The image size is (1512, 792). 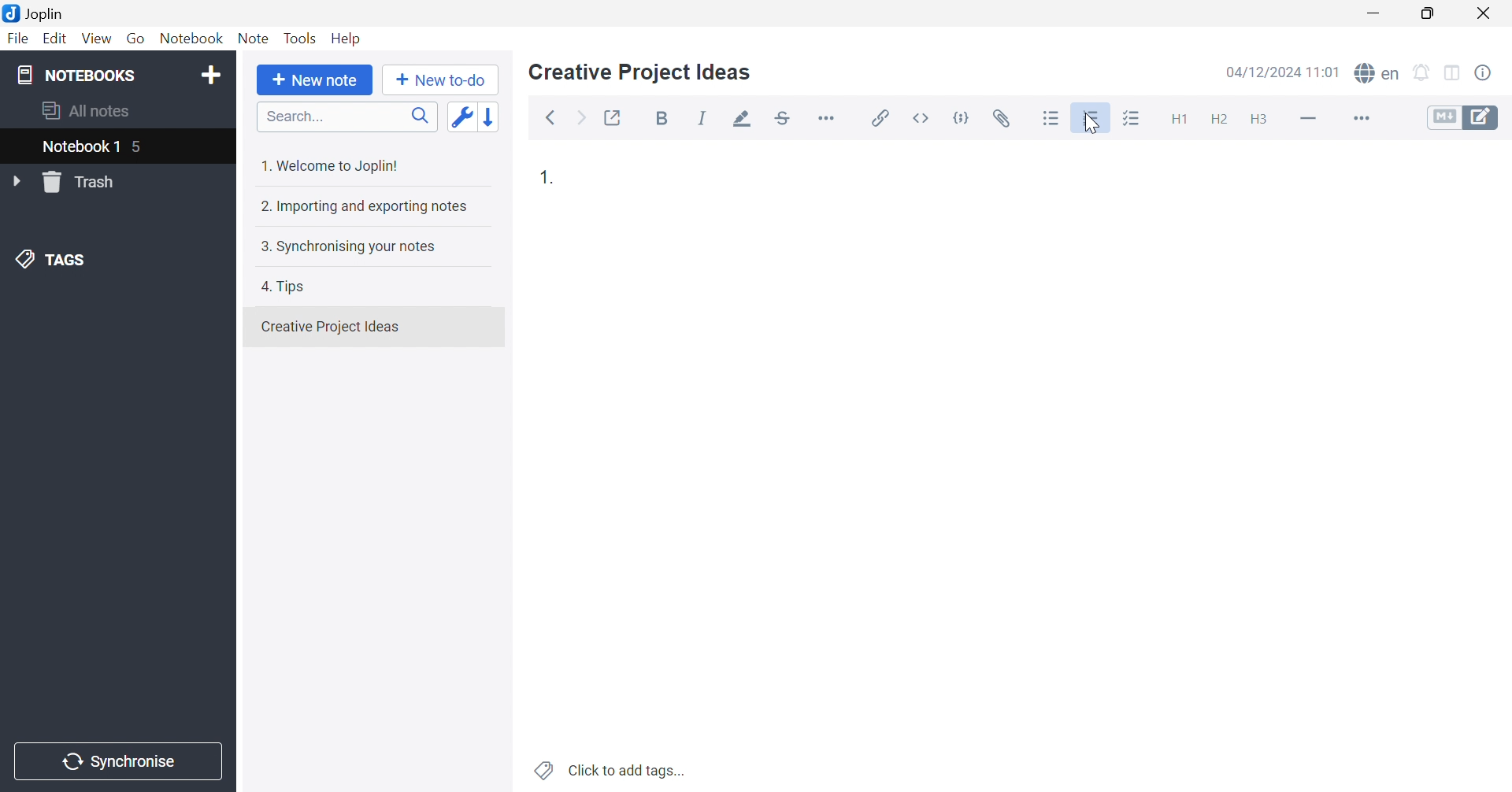 I want to click on Toggle editors, so click(x=1463, y=118).